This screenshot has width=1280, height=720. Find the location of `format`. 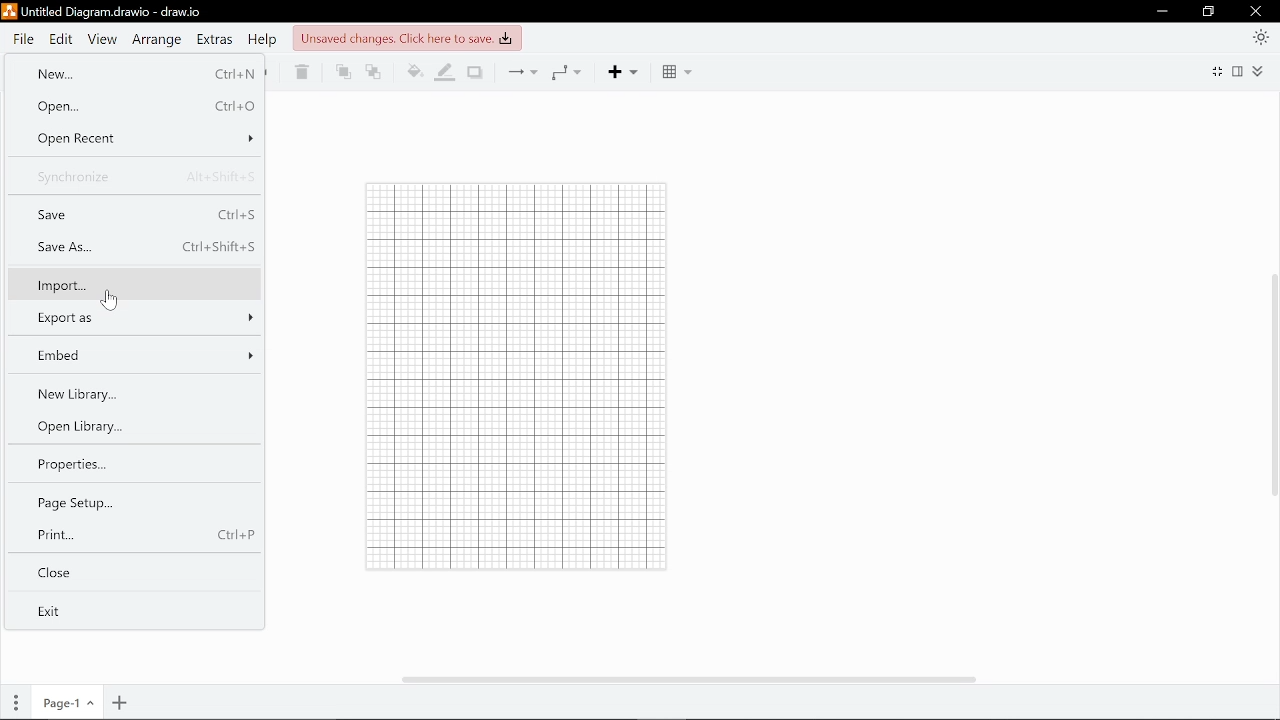

format is located at coordinates (1239, 74).